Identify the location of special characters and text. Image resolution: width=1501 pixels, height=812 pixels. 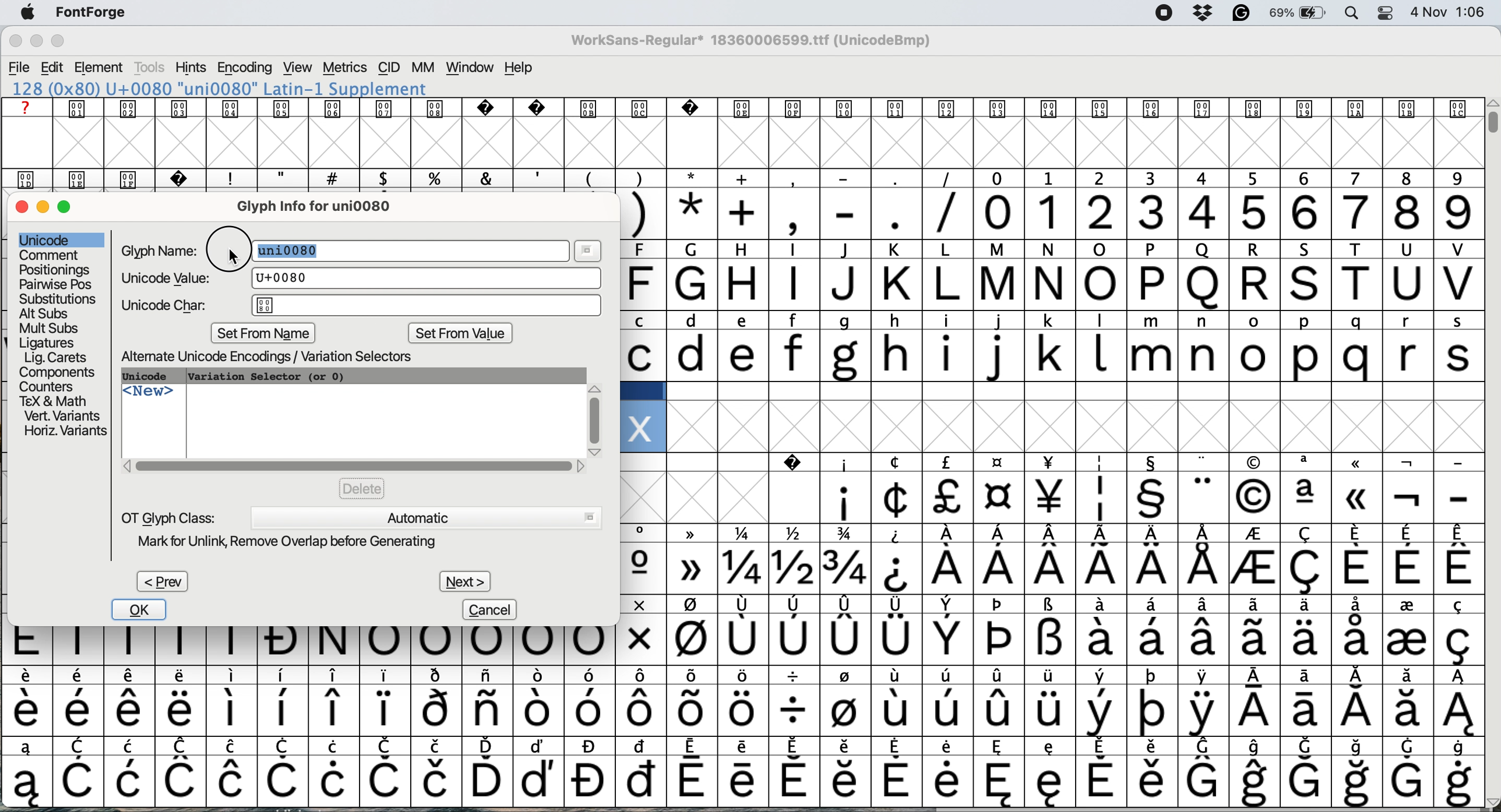
(747, 178).